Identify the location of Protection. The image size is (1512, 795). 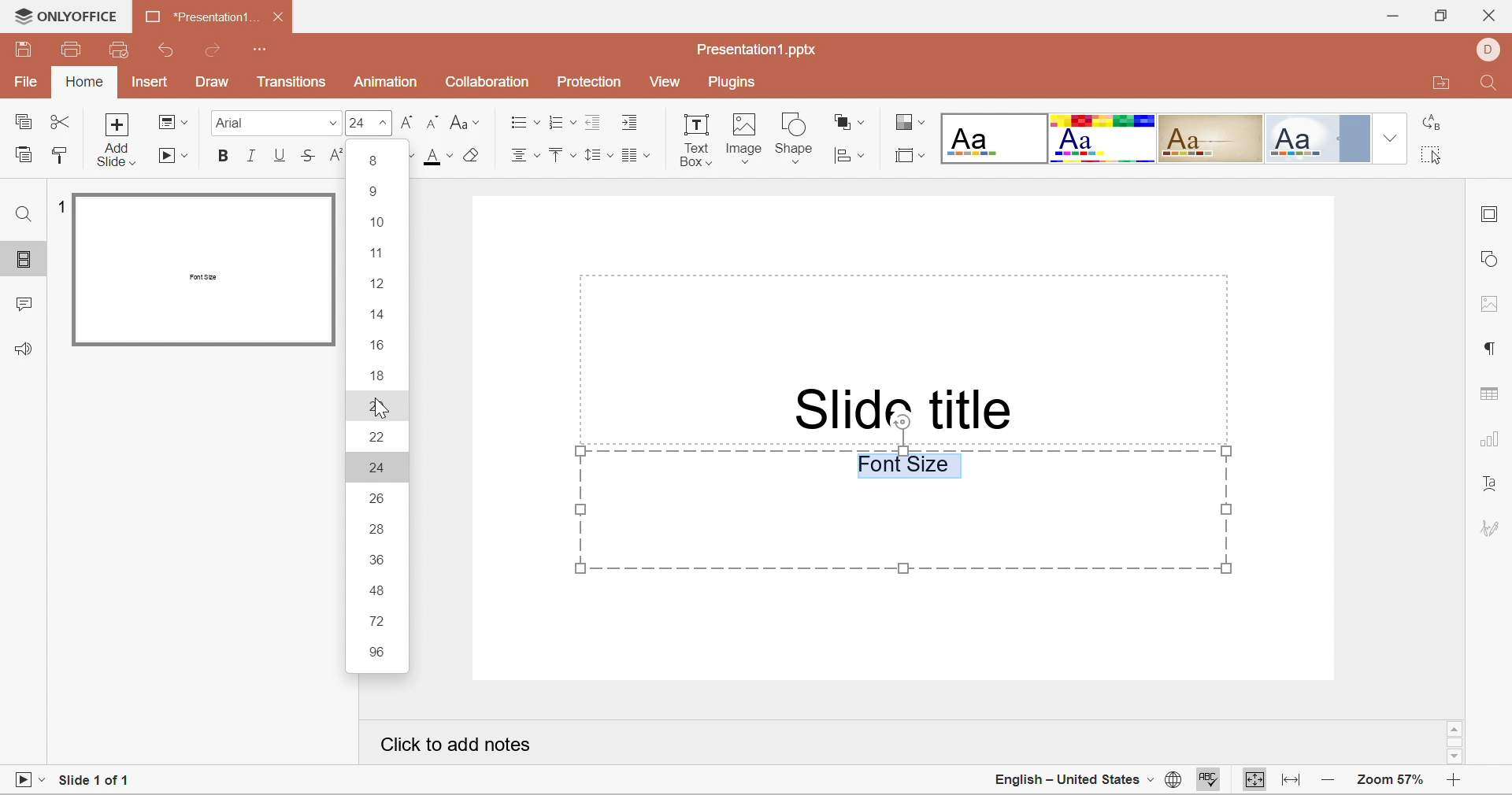
(589, 80).